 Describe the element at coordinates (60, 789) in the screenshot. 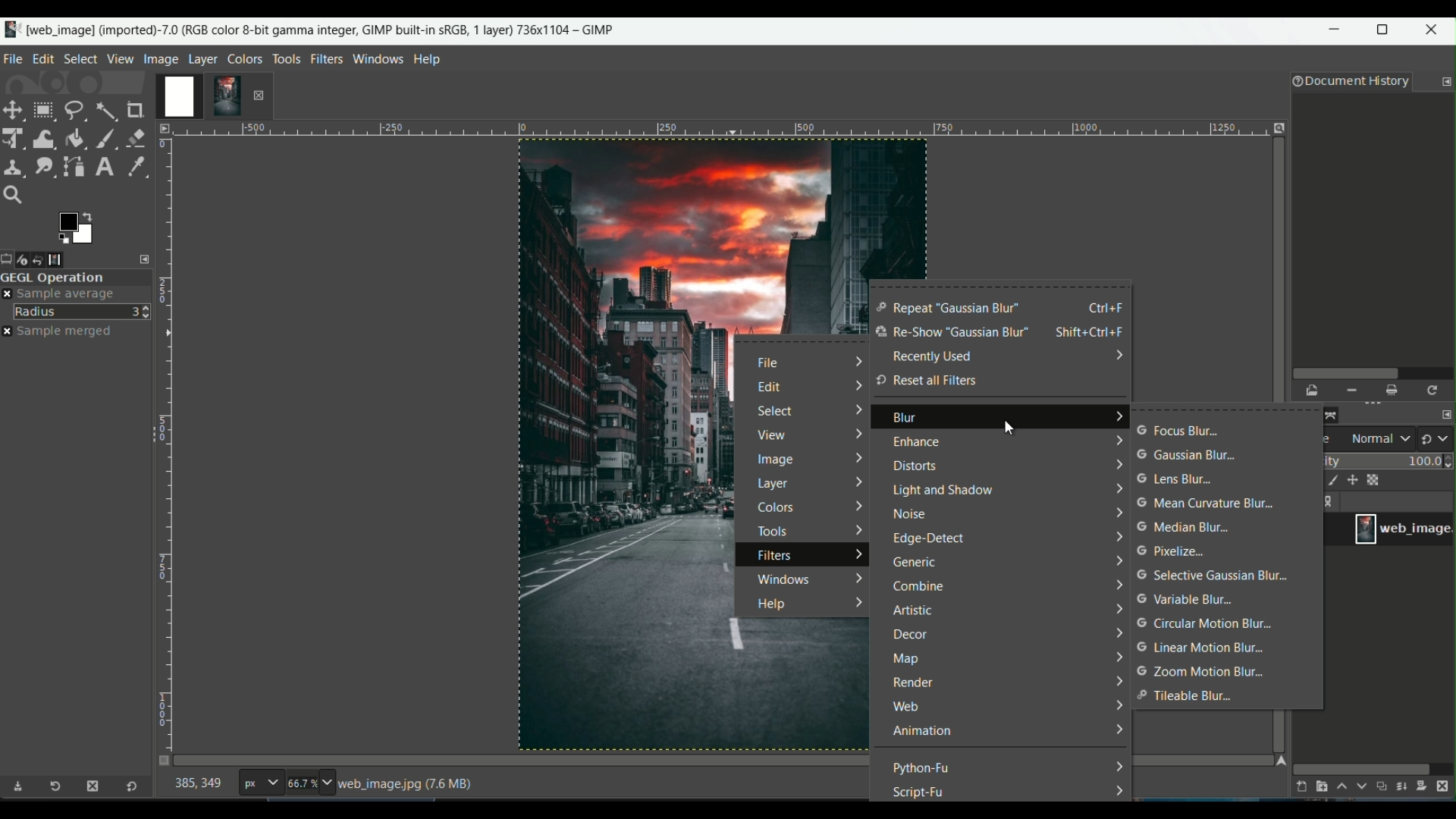

I see `restore tool preset` at that location.